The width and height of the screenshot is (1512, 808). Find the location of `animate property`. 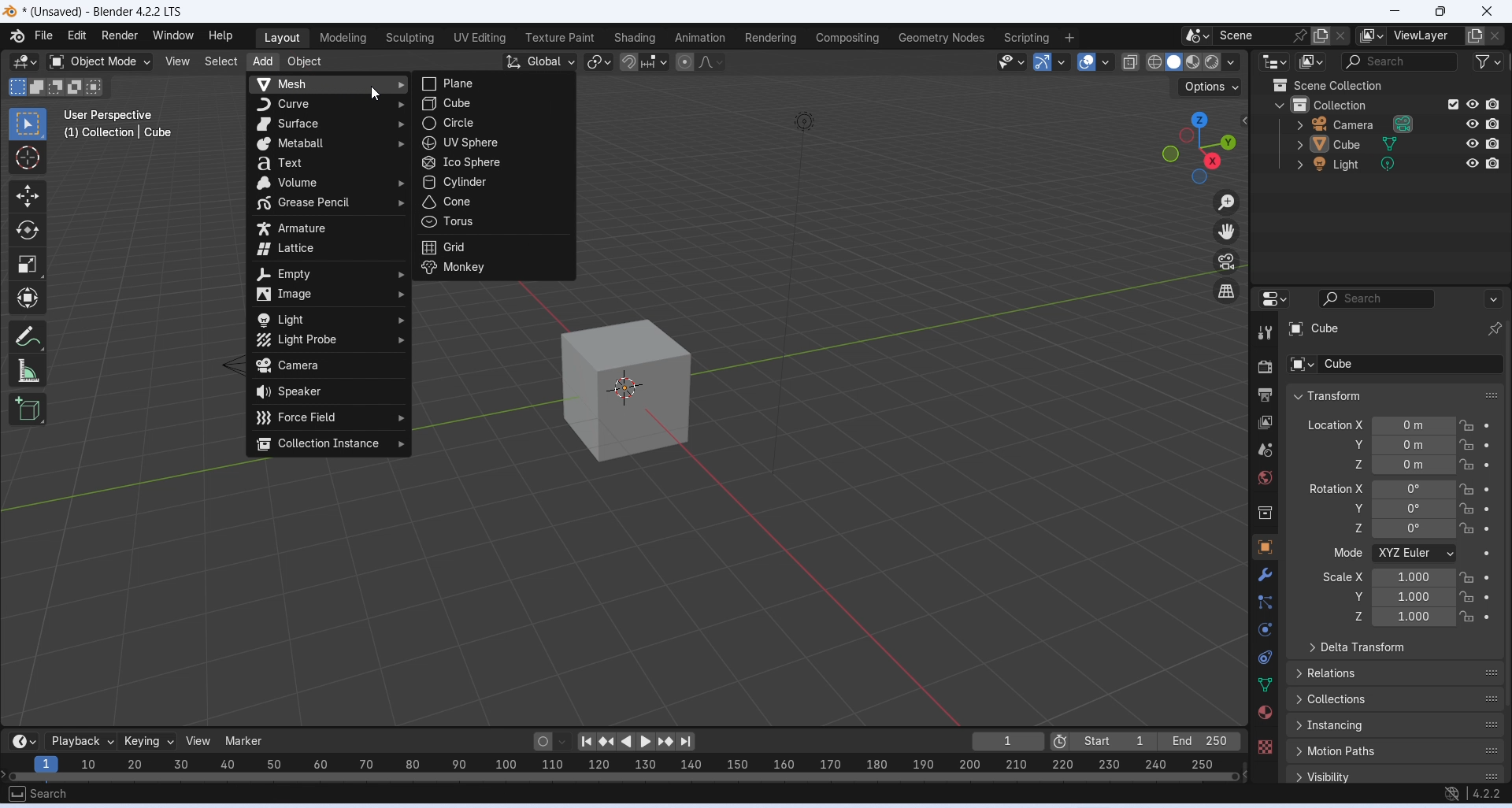

animate property is located at coordinates (1488, 465).